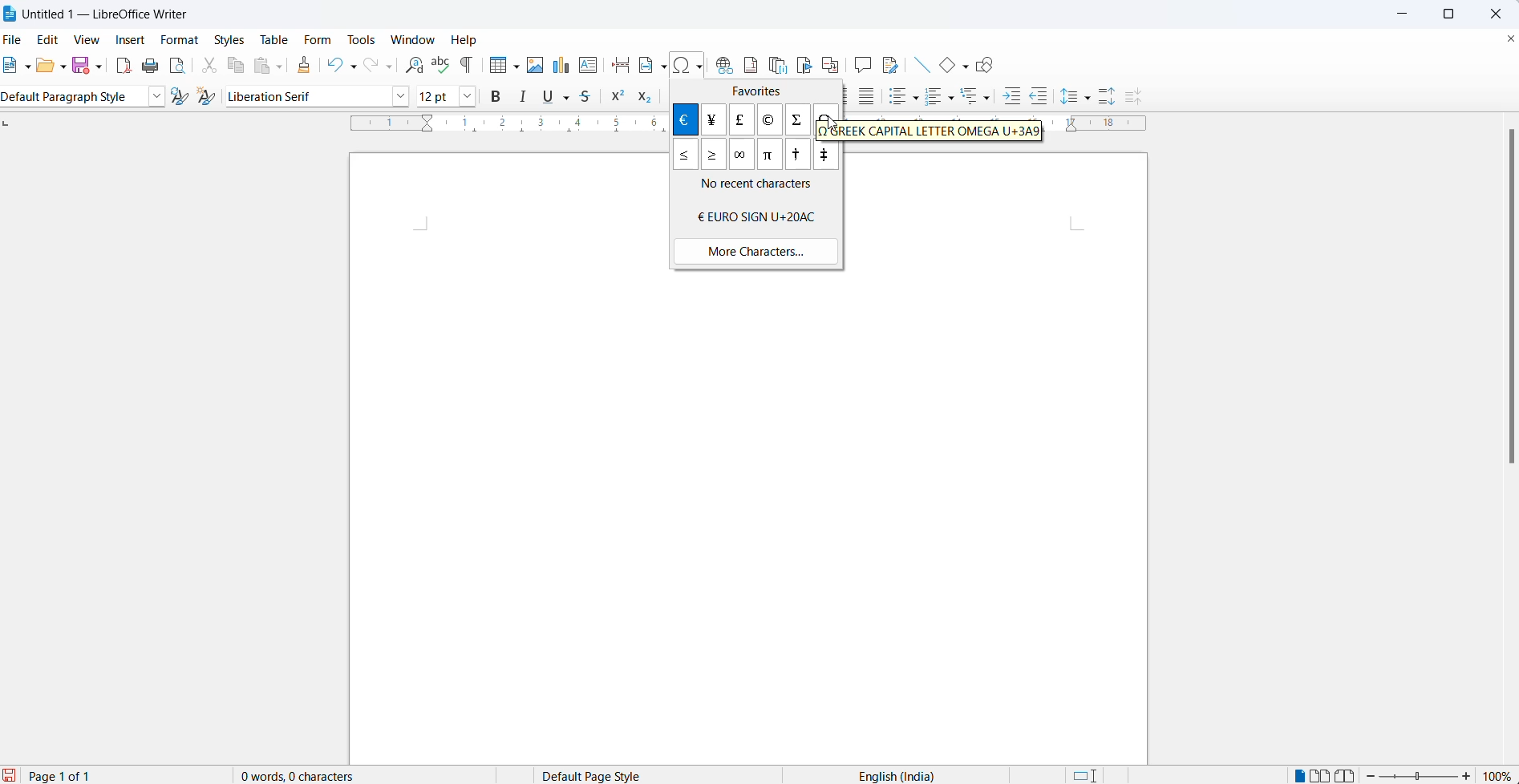  I want to click on select outline formatting, so click(981, 98).